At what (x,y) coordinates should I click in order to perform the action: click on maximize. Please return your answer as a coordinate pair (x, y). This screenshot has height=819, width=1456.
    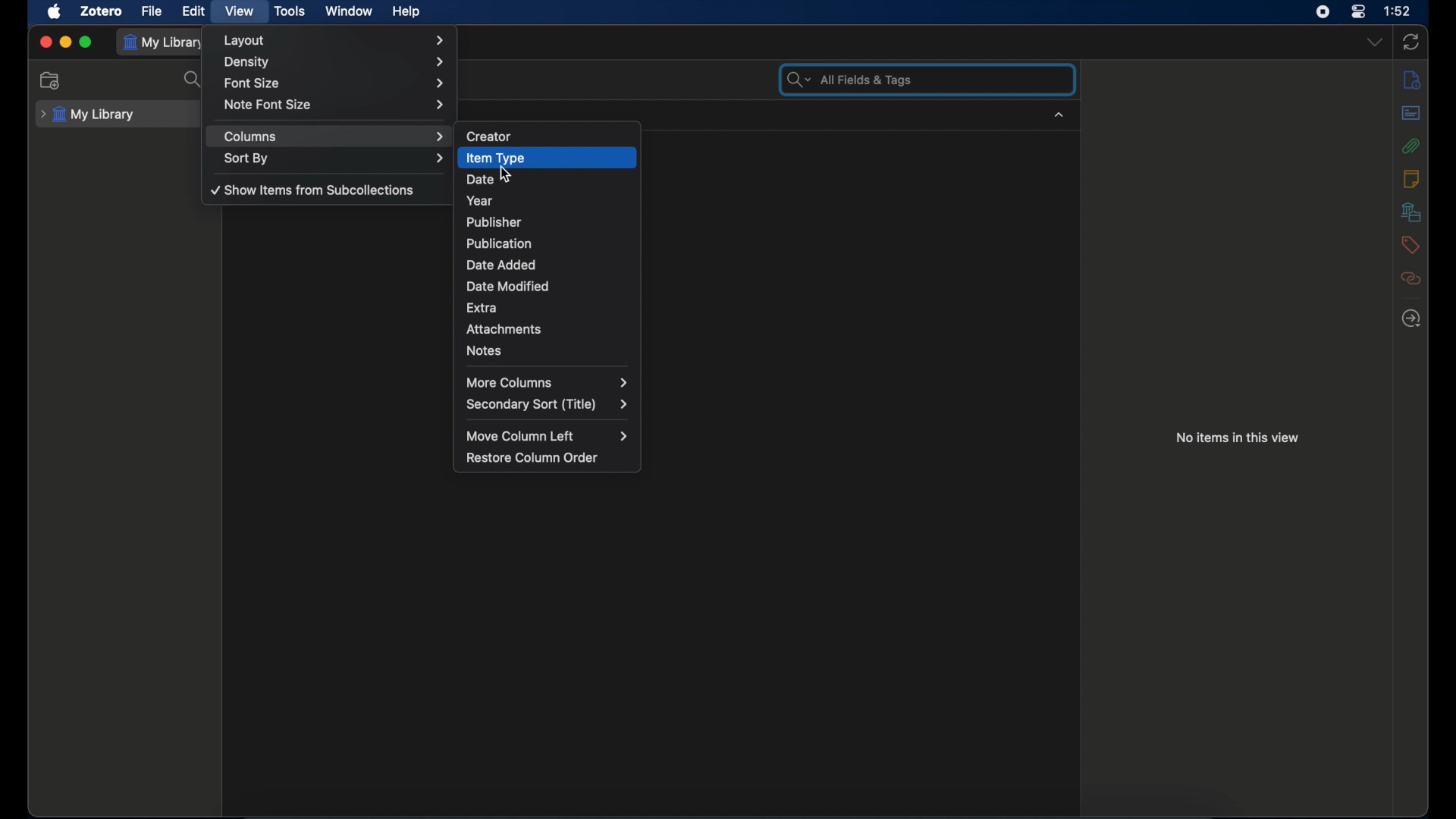
    Looking at the image, I should click on (86, 42).